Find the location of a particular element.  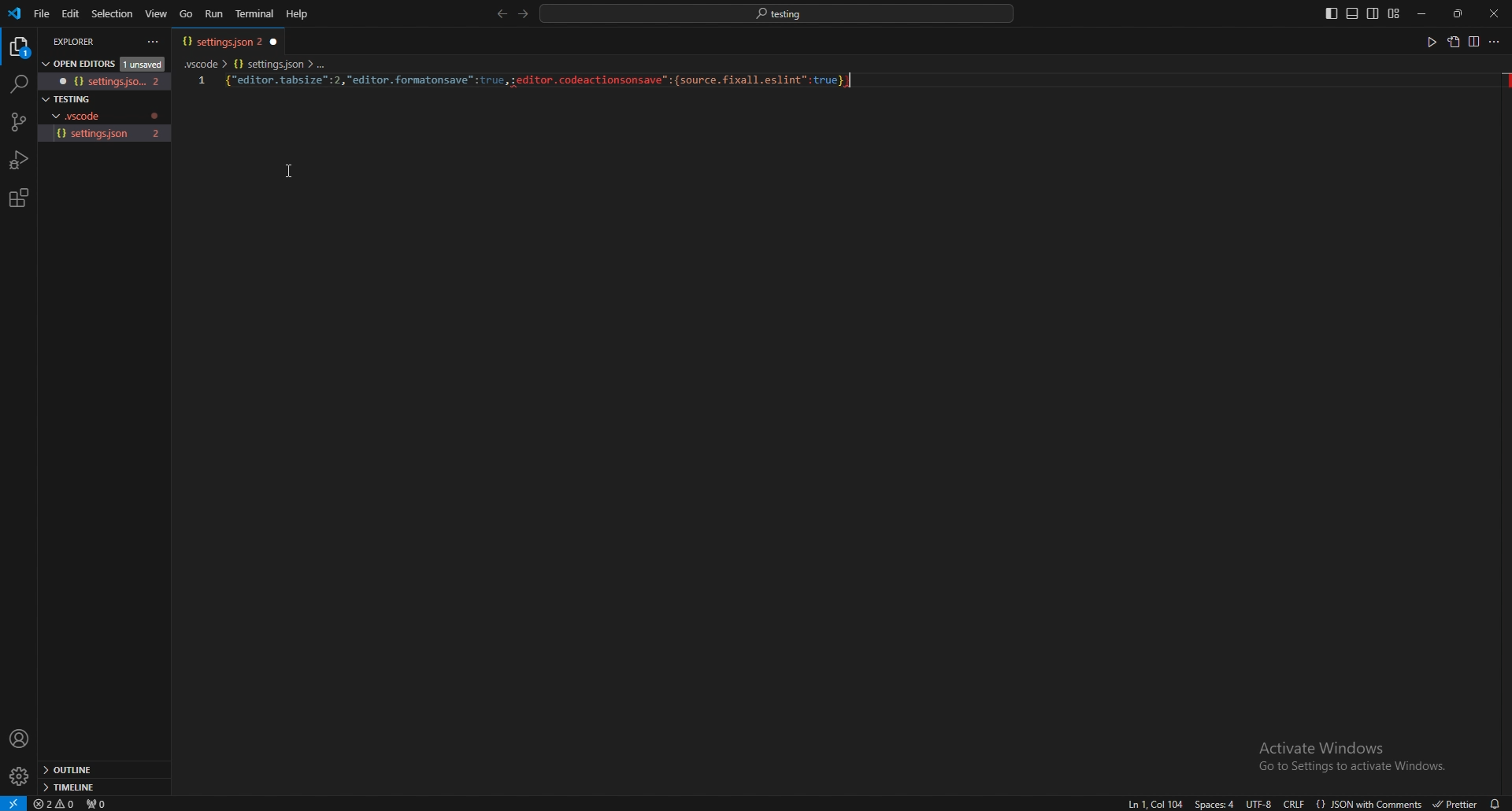

folder is located at coordinates (107, 115).